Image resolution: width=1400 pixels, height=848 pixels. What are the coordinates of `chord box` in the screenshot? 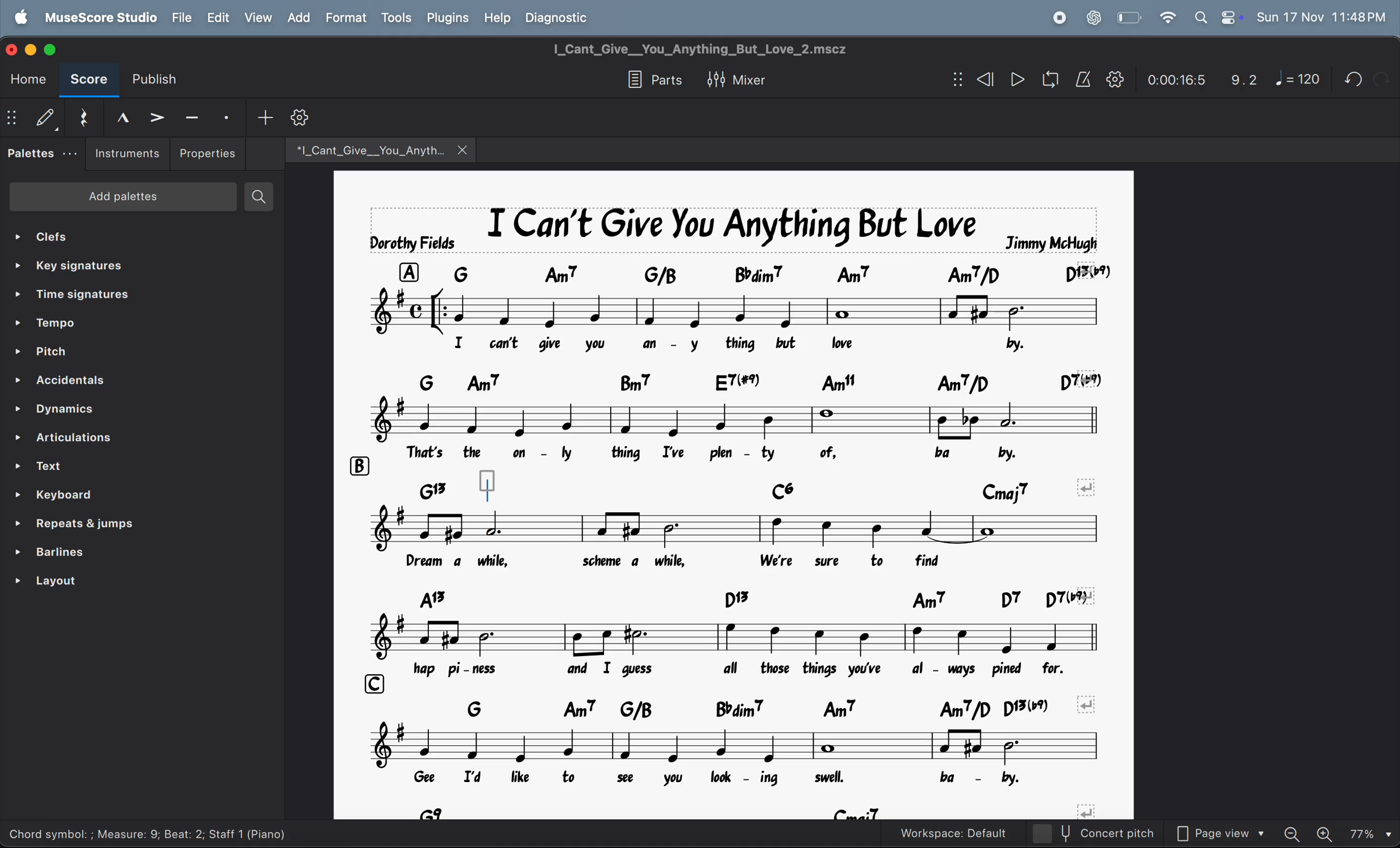 It's located at (485, 481).